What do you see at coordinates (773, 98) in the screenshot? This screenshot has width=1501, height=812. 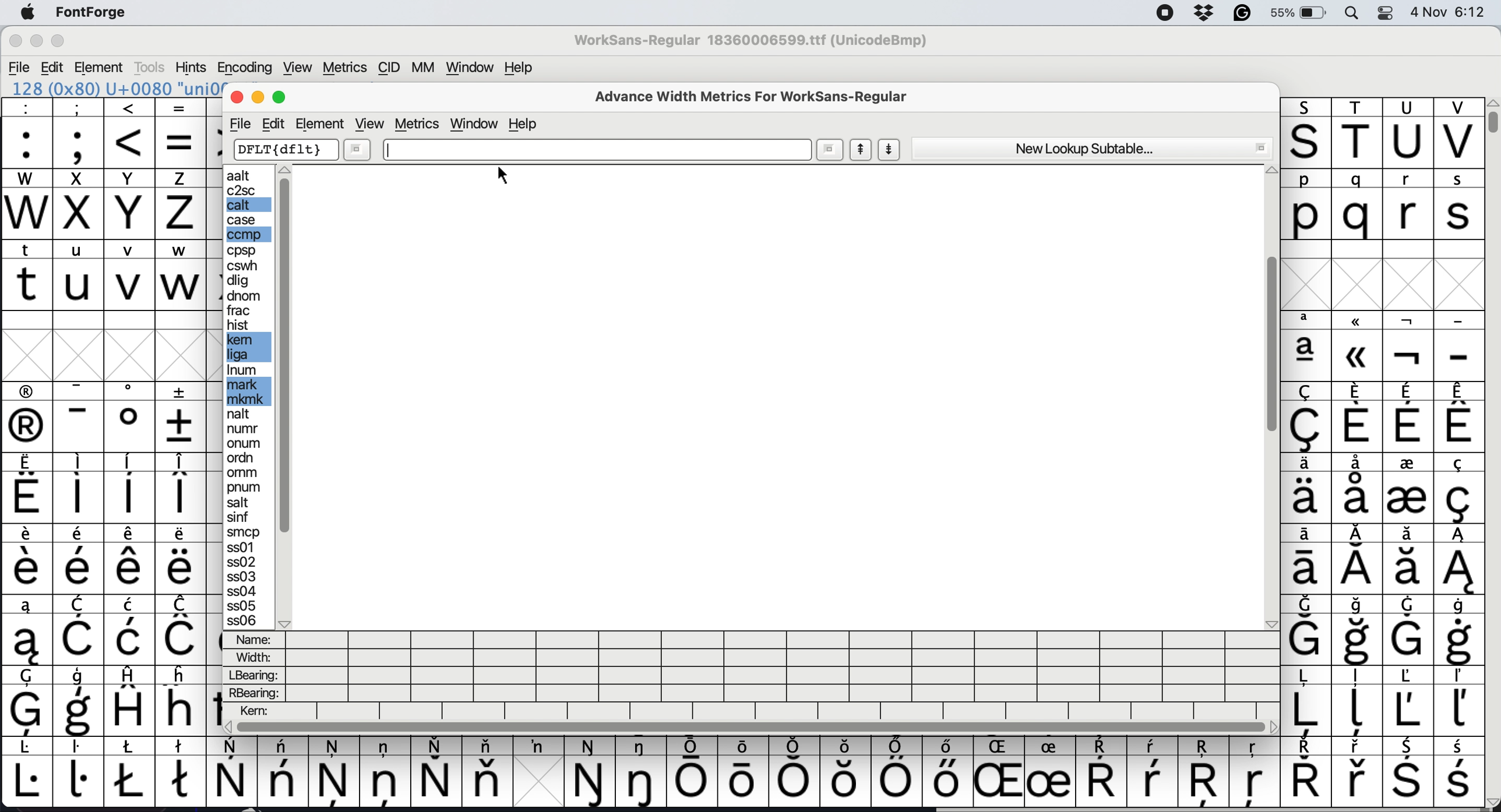 I see `advance width metrics for worksans-regular` at bounding box center [773, 98].